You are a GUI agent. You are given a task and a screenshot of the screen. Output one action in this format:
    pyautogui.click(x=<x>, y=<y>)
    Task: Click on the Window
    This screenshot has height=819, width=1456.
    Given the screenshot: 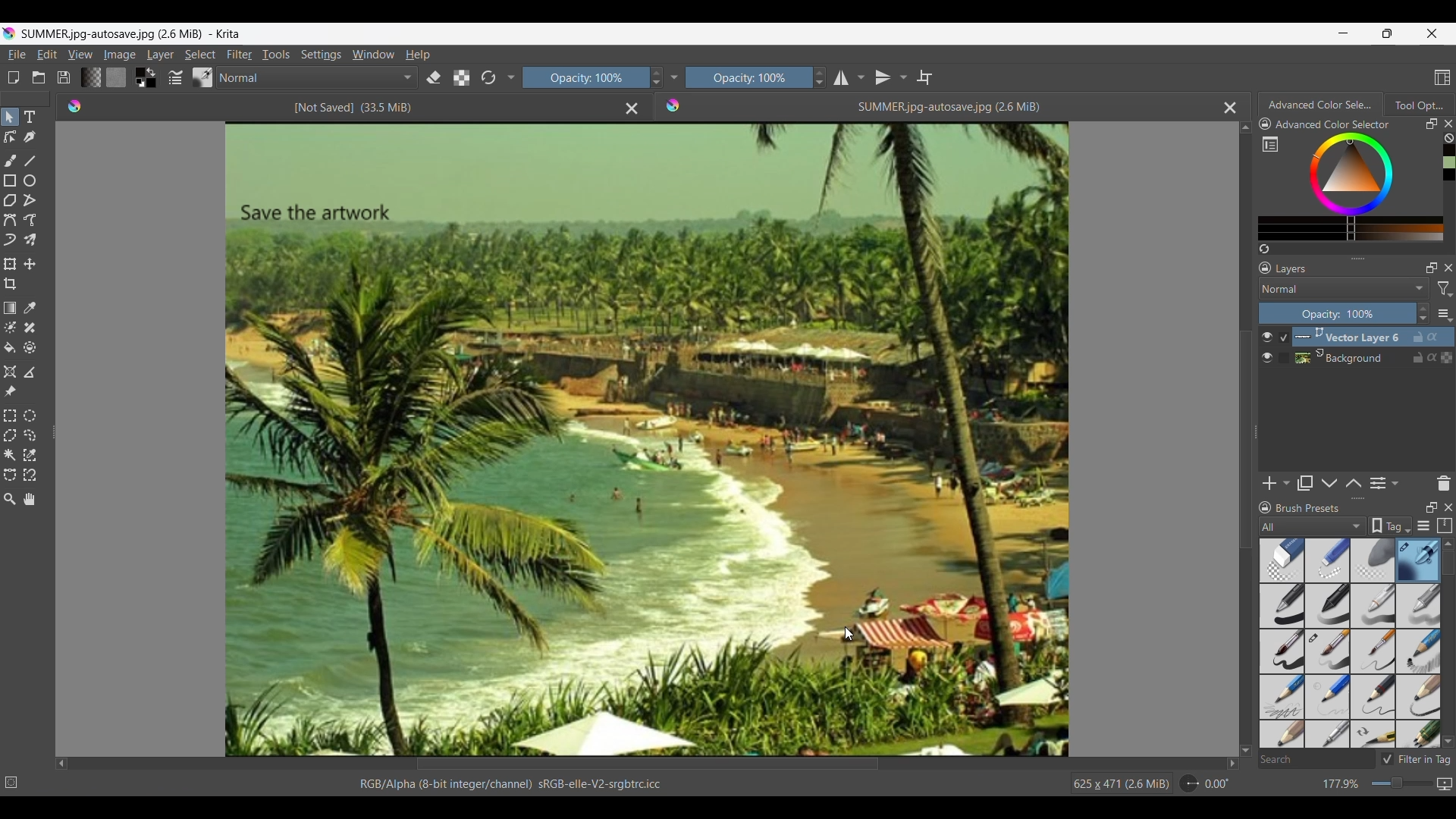 What is the action you would take?
    pyautogui.click(x=373, y=54)
    